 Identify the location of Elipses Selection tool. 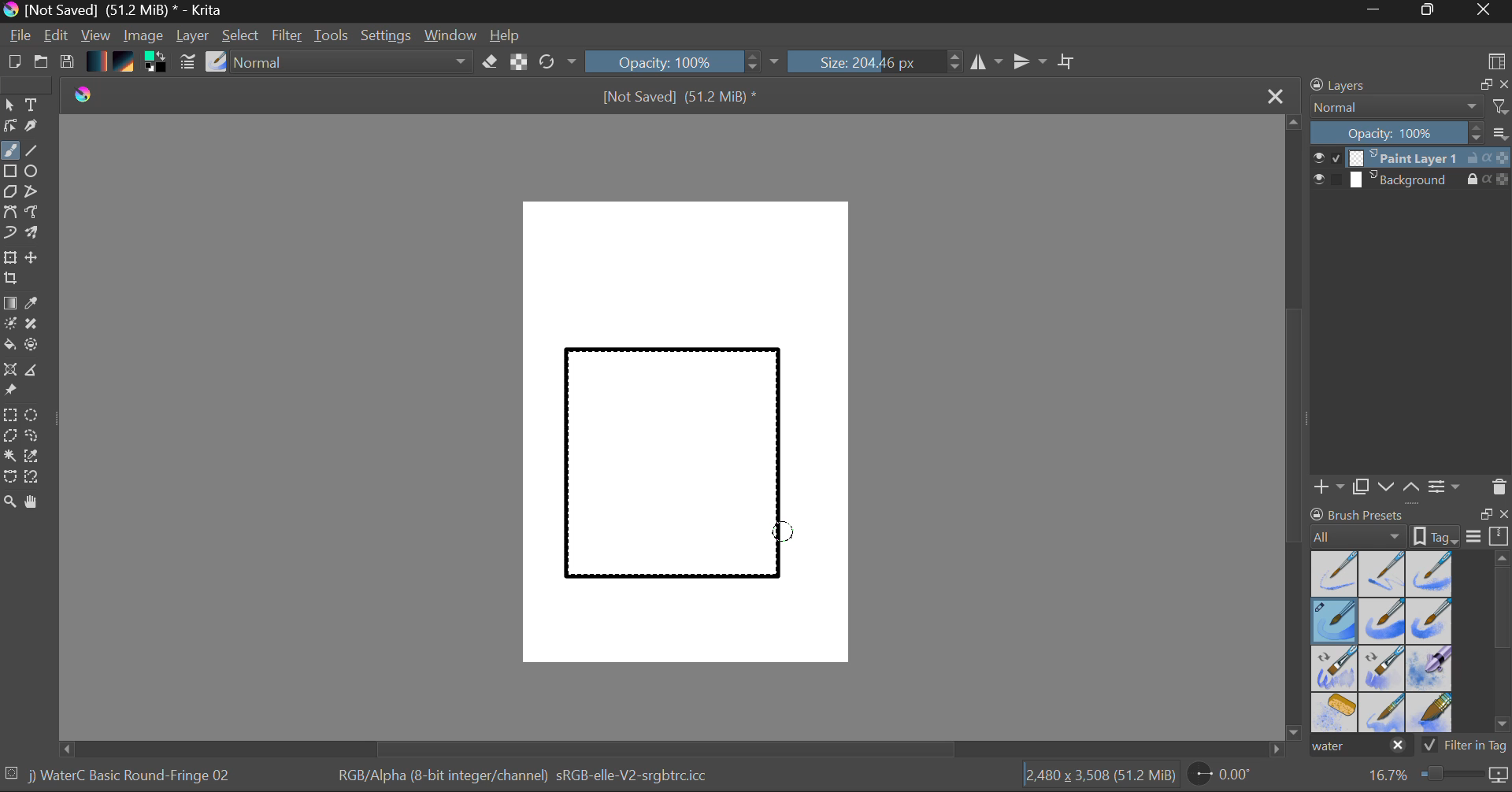
(35, 416).